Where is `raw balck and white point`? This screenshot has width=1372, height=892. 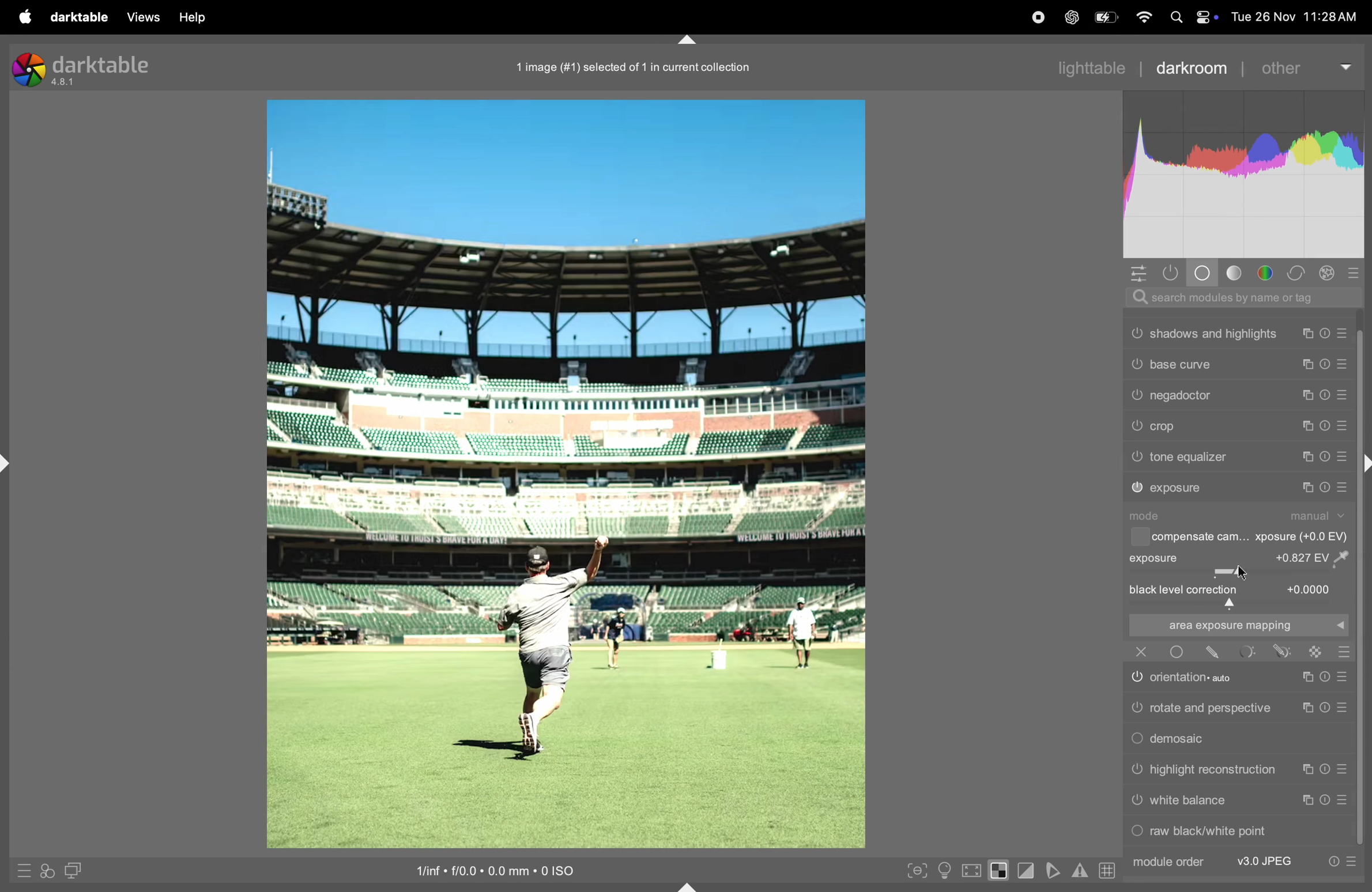
raw balck and white point is located at coordinates (1211, 830).